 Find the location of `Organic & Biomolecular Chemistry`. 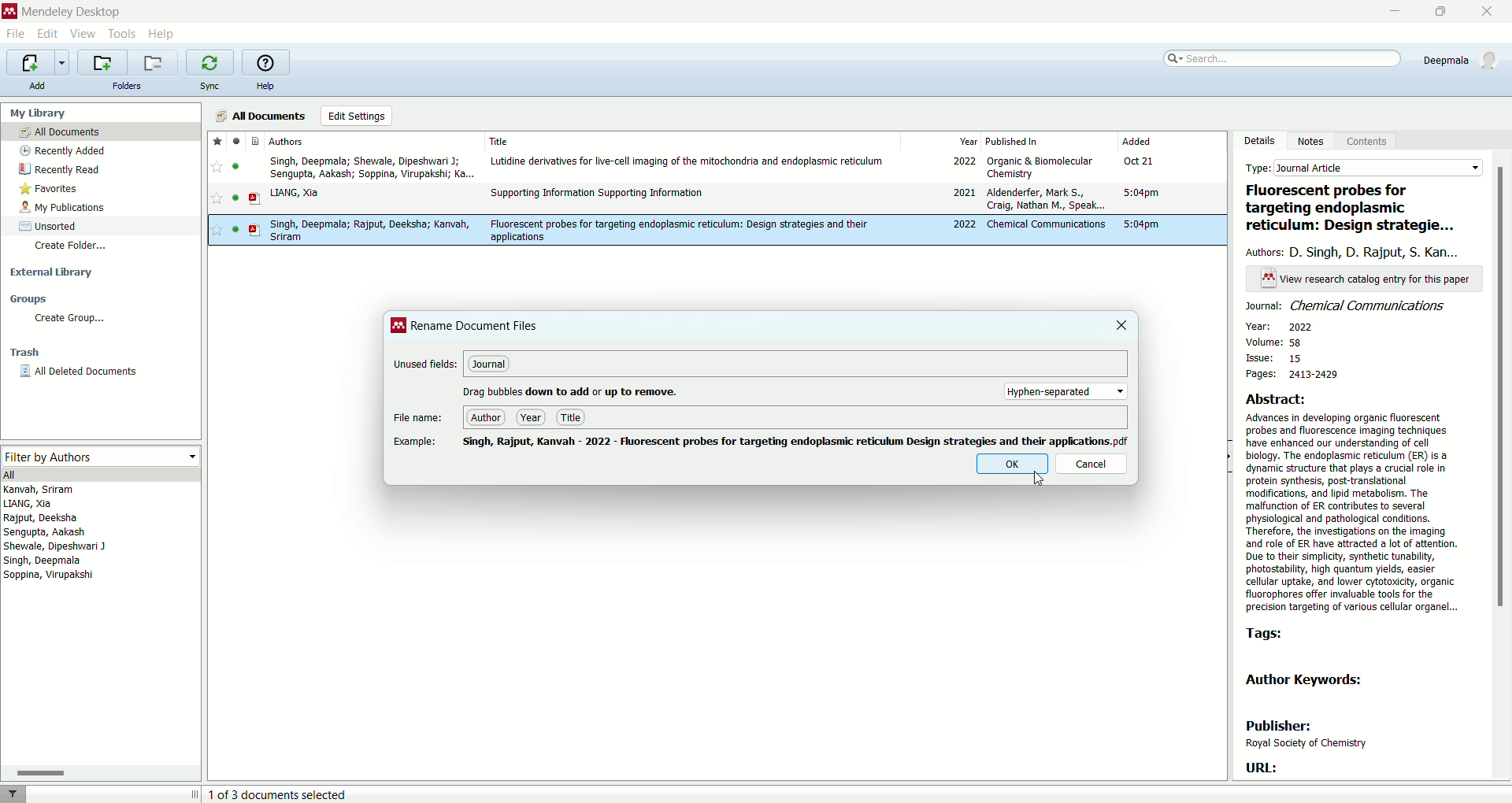

Organic & Biomolecular Chemistry is located at coordinates (1041, 167).